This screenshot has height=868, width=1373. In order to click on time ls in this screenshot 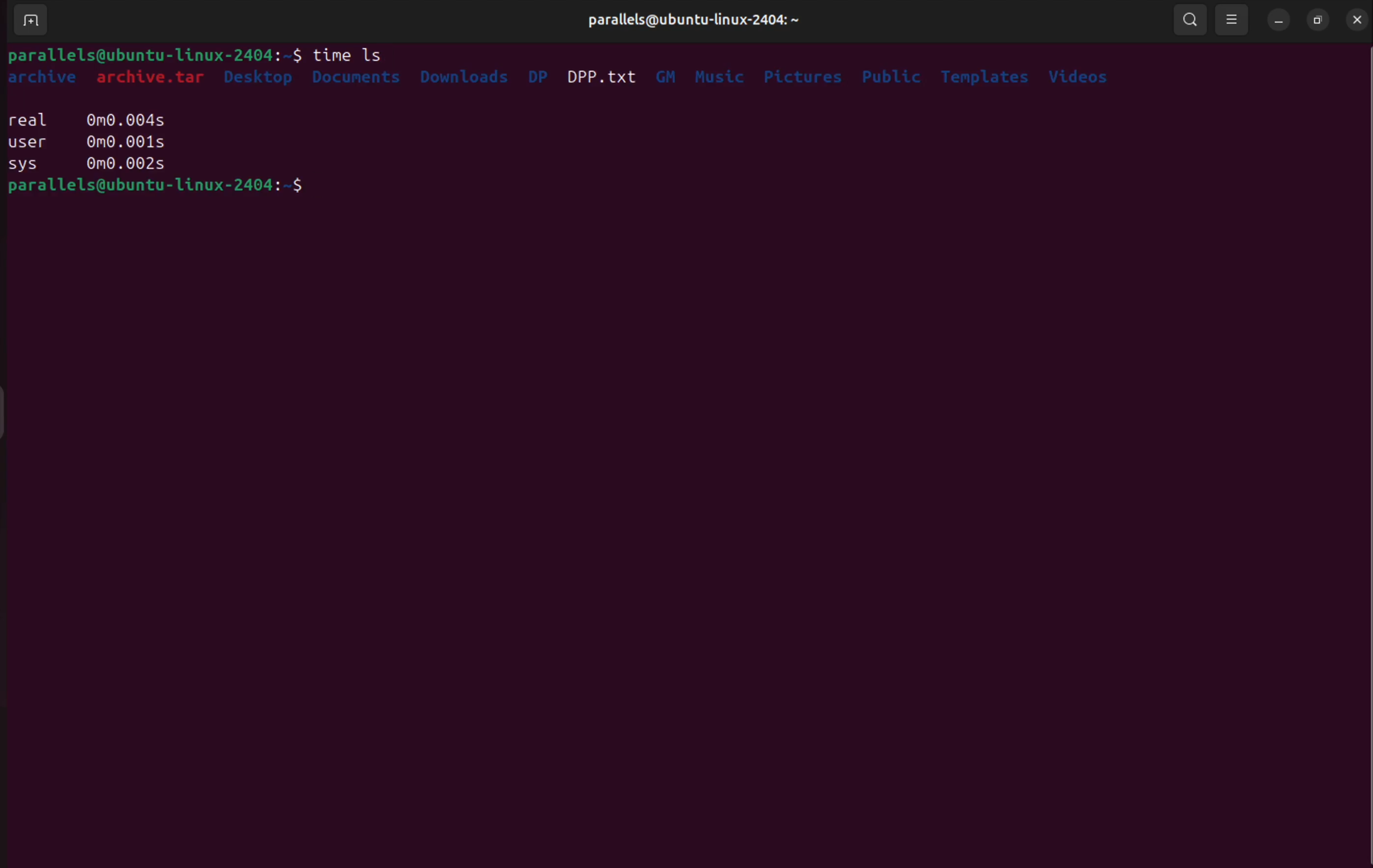, I will do `click(352, 52)`.